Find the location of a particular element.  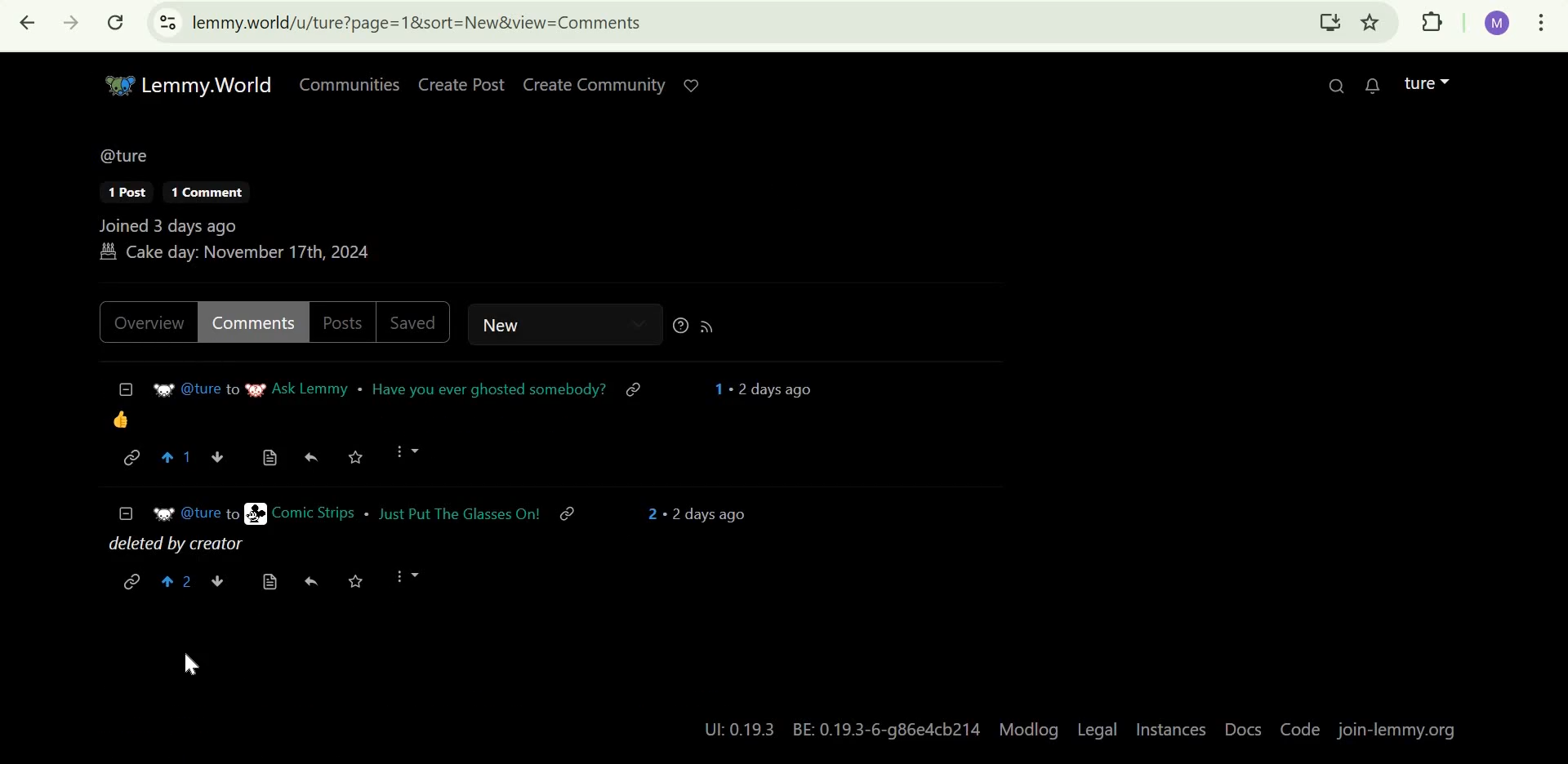

link is located at coordinates (131, 460).